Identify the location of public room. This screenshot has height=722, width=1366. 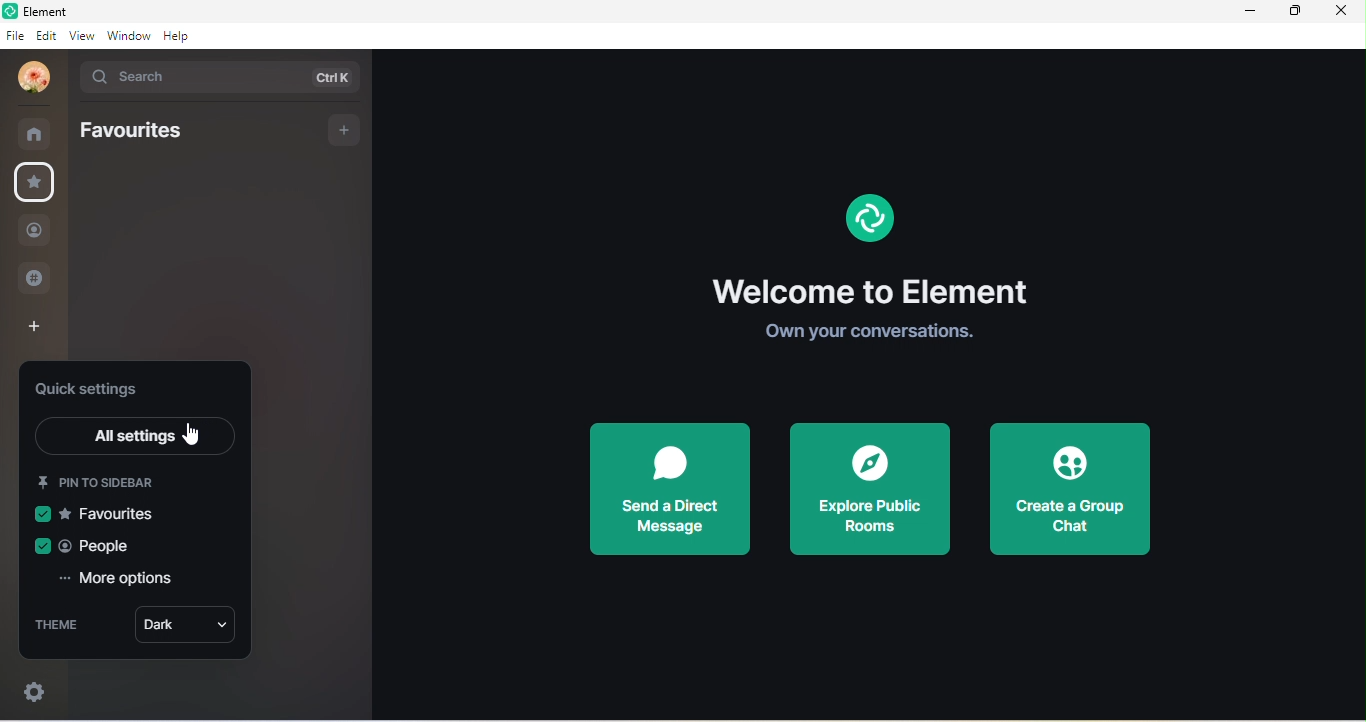
(33, 278).